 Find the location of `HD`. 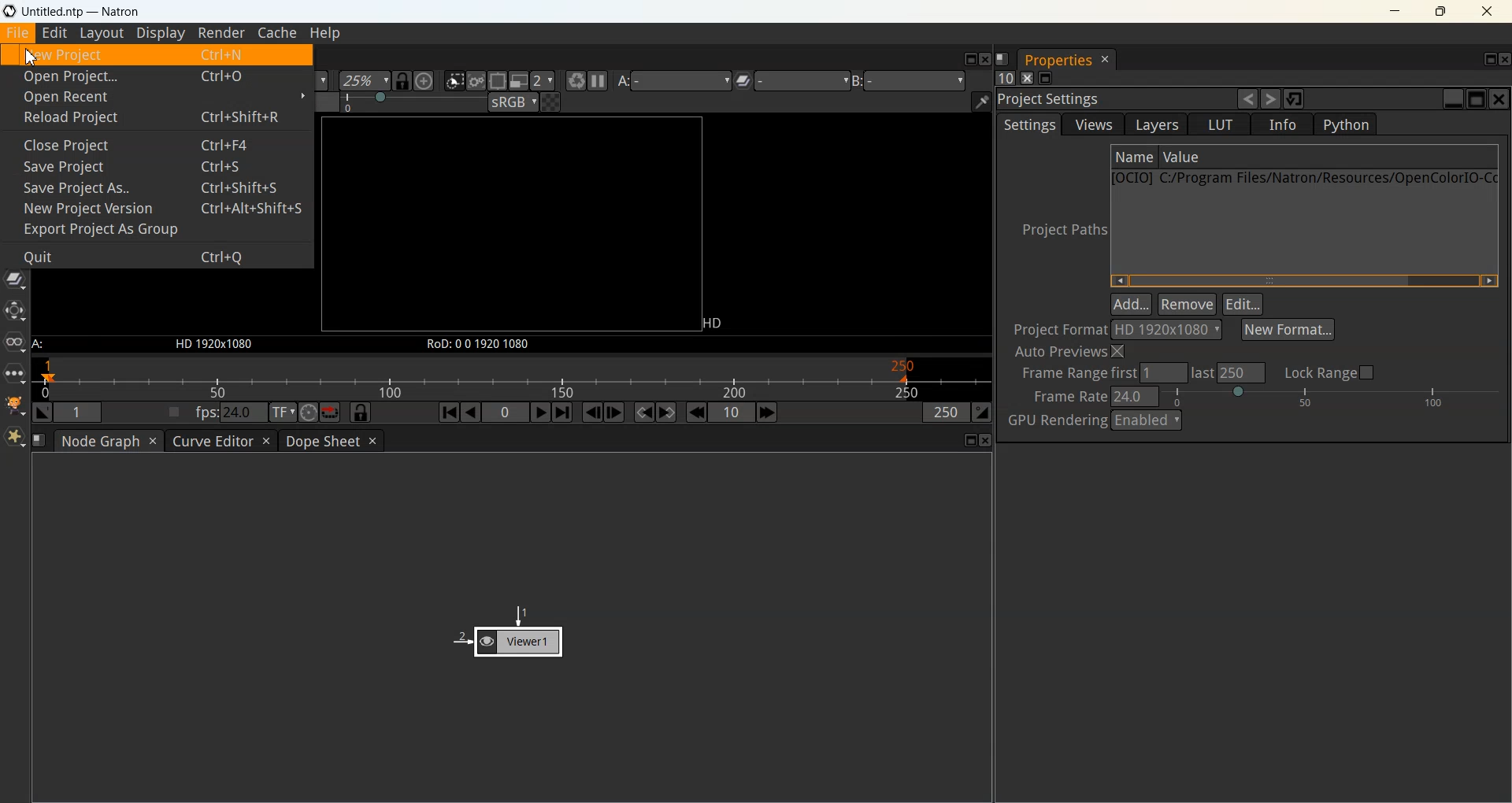

HD is located at coordinates (716, 325).